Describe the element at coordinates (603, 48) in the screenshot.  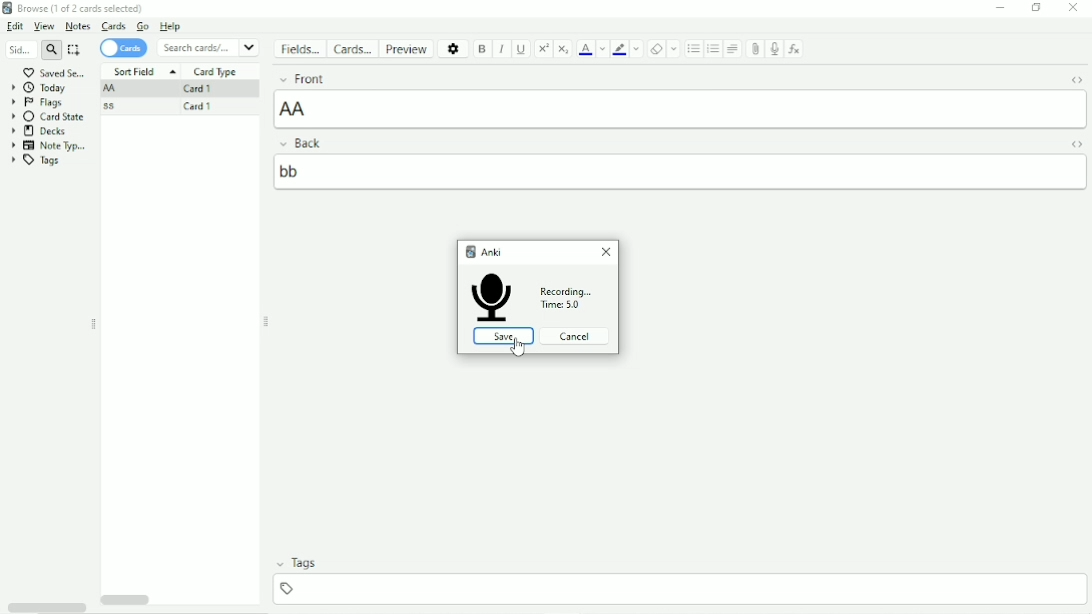
I see `Change color` at that location.